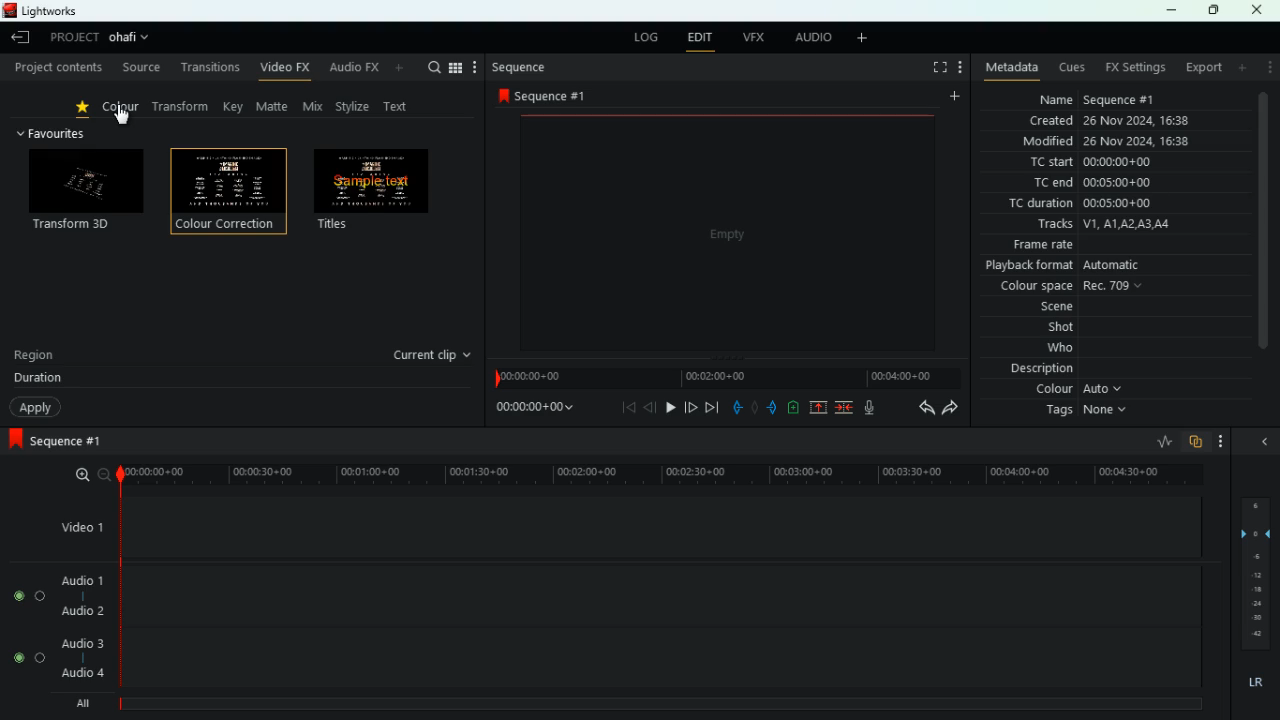 The image size is (1280, 720). I want to click on vfx, so click(755, 38).